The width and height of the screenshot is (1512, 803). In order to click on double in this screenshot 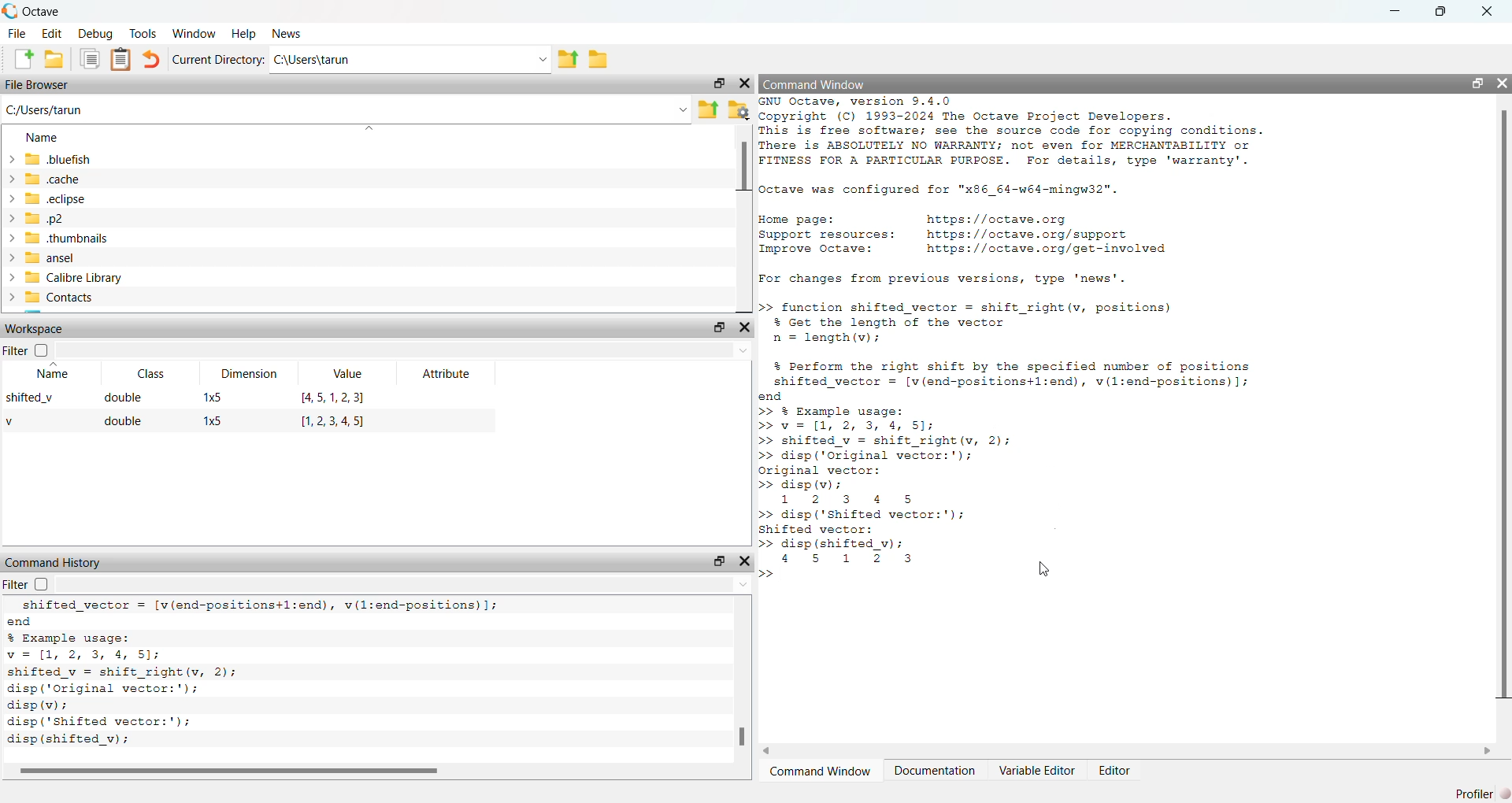, I will do `click(123, 421)`.